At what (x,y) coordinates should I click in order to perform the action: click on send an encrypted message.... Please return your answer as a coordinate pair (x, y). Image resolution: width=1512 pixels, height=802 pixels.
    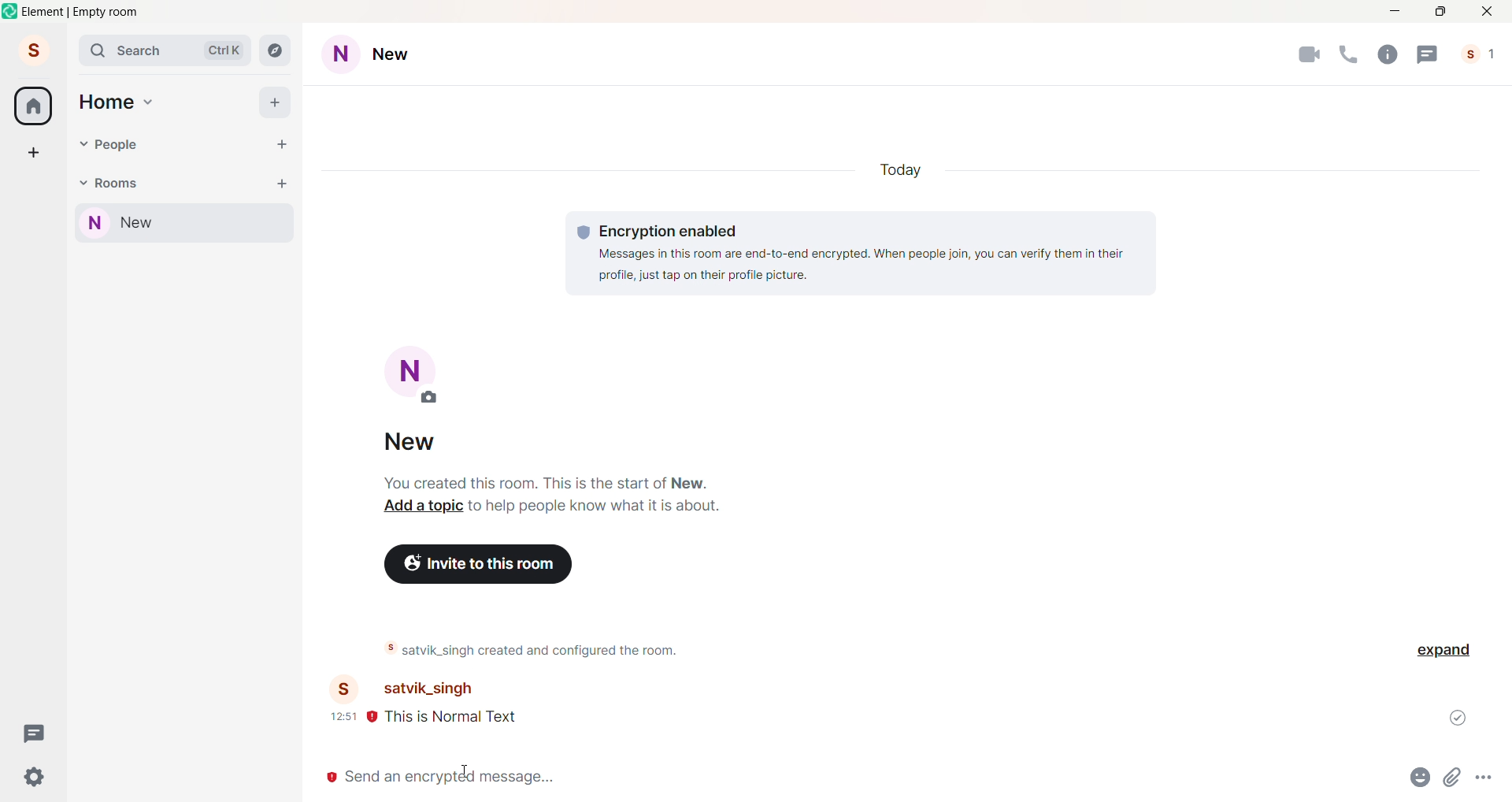
    Looking at the image, I should click on (864, 776).